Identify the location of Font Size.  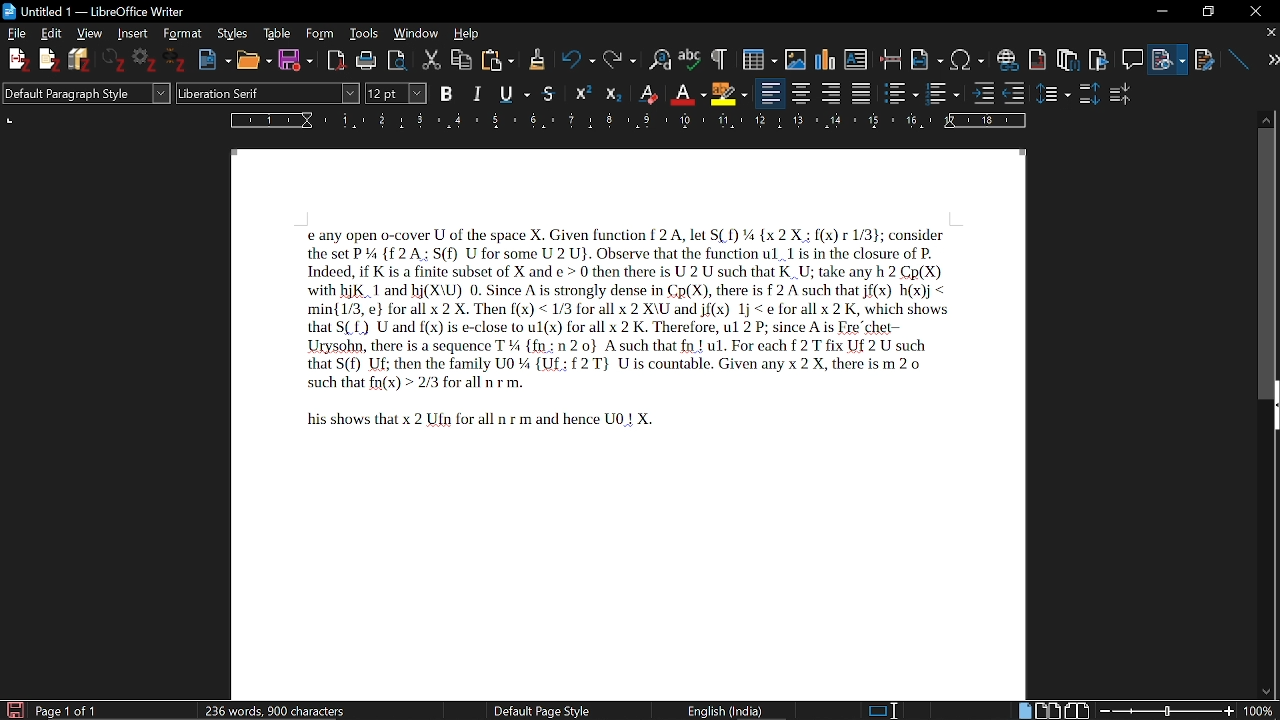
(383, 94).